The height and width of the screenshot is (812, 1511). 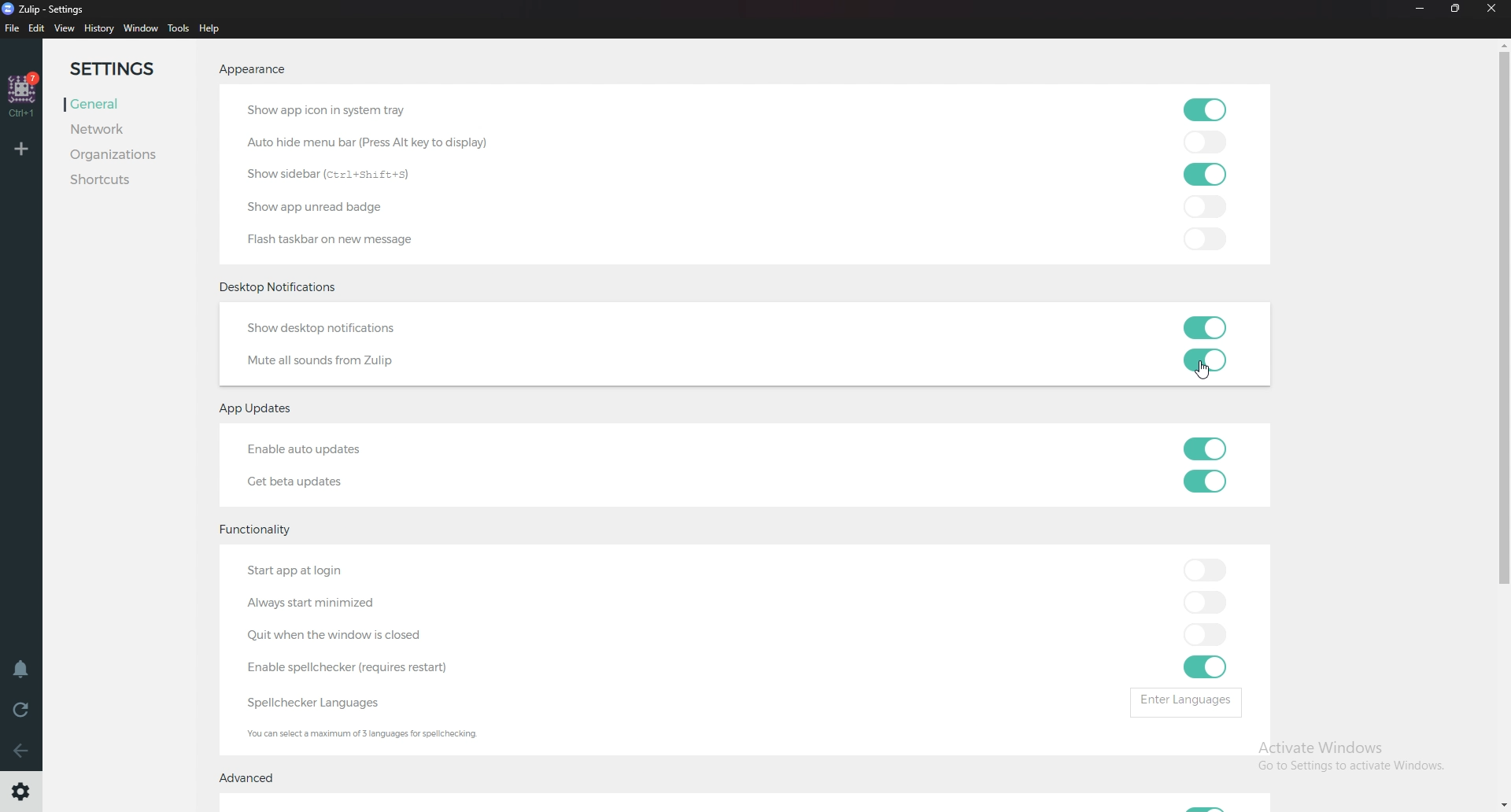 What do you see at coordinates (23, 792) in the screenshot?
I see `settings` at bounding box center [23, 792].